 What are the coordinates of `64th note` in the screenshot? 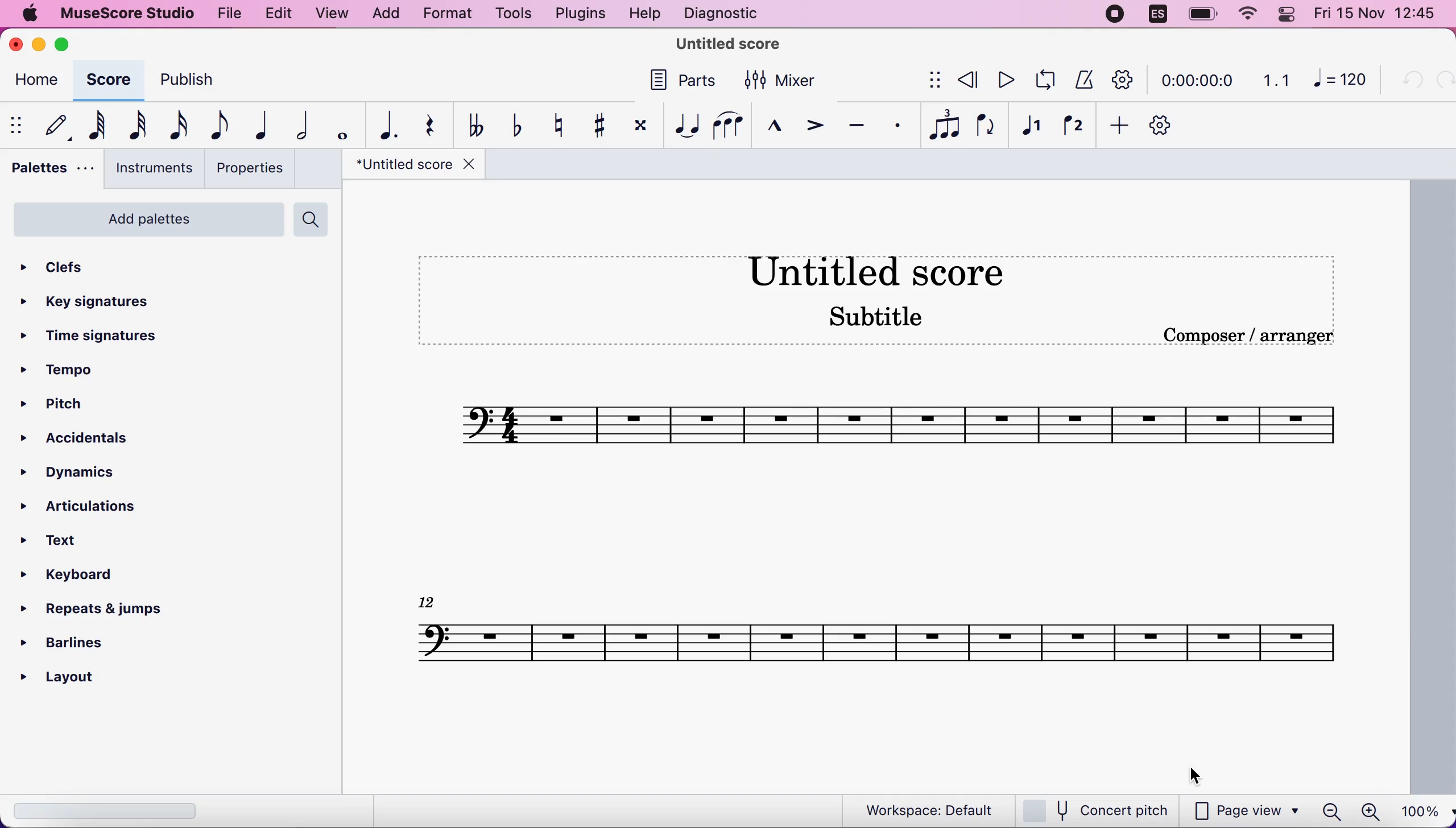 It's located at (97, 123).